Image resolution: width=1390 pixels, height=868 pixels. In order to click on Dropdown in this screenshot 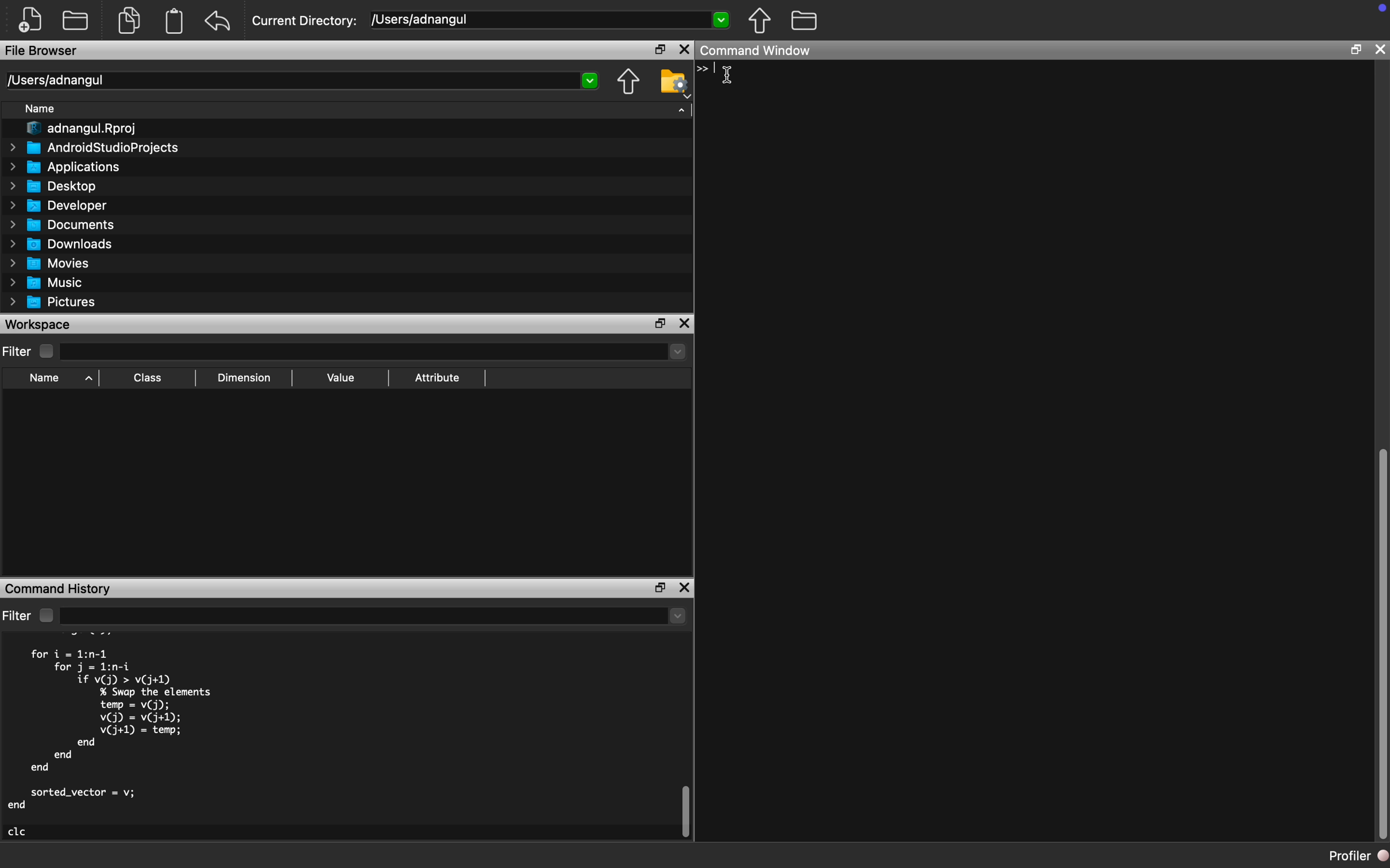, I will do `click(373, 617)`.